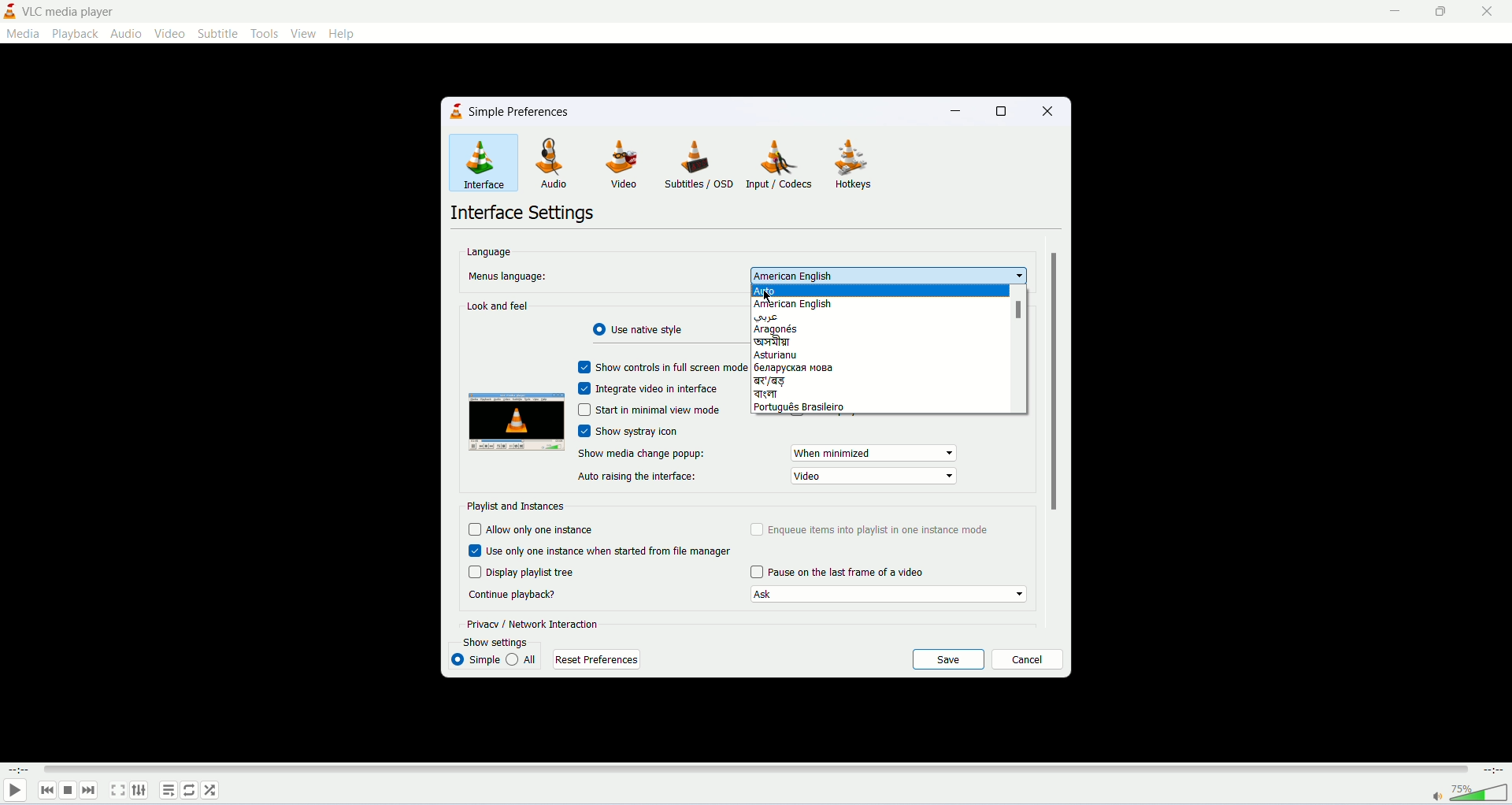  What do you see at coordinates (1486, 14) in the screenshot?
I see `close` at bounding box center [1486, 14].